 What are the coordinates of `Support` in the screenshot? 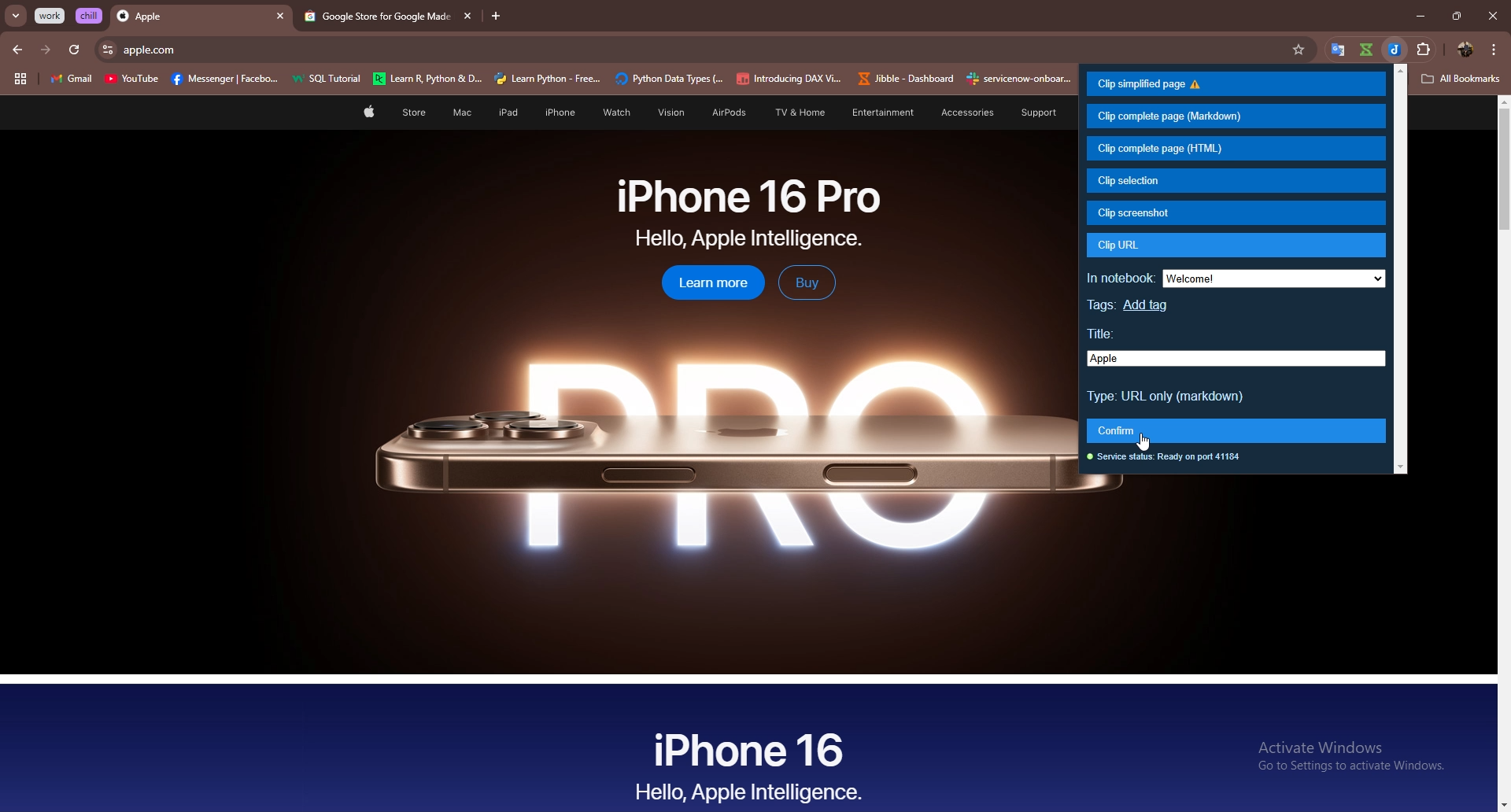 It's located at (1032, 113).